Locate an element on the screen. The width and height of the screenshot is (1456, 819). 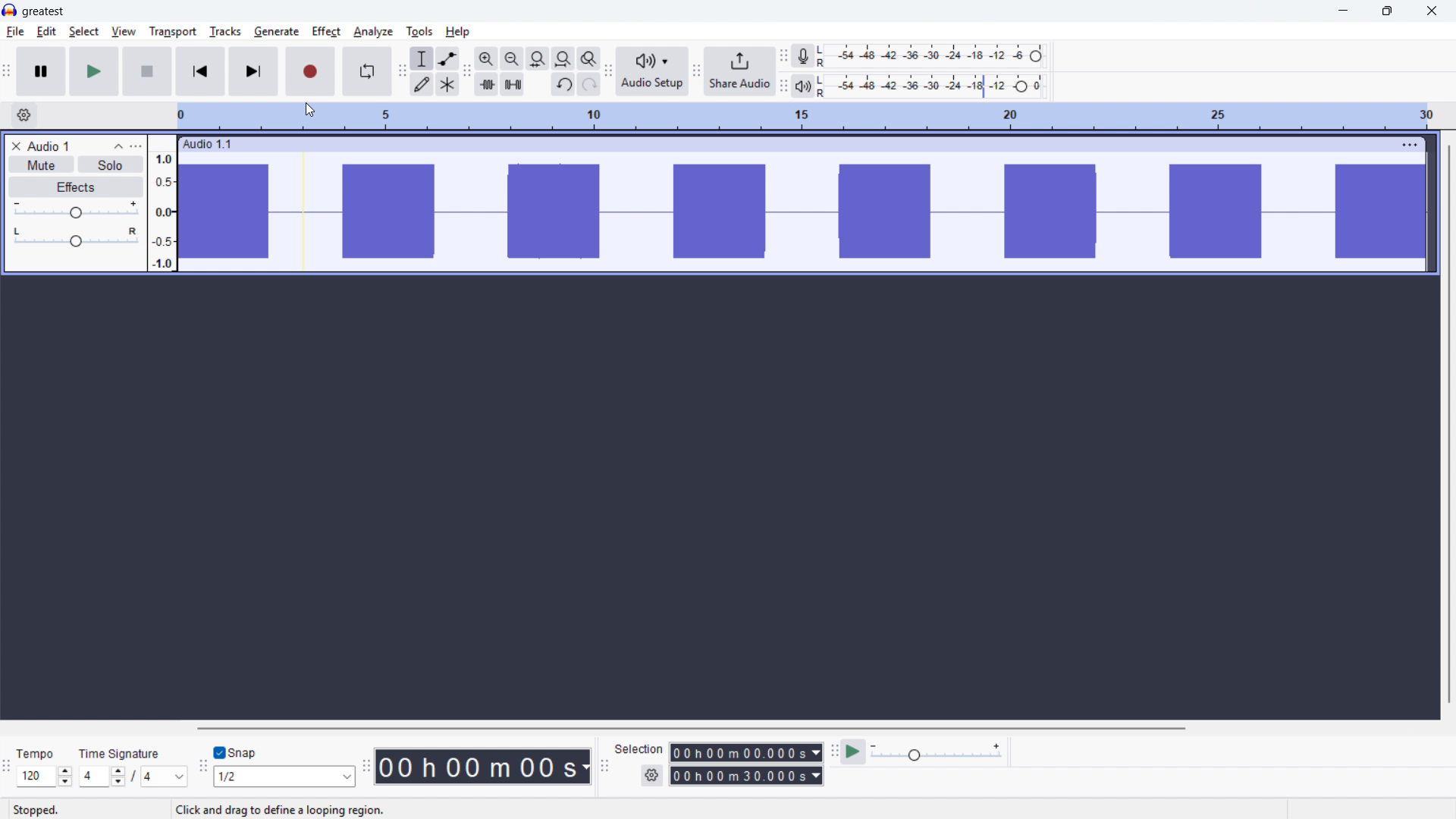
selection is located at coordinates (640, 749).